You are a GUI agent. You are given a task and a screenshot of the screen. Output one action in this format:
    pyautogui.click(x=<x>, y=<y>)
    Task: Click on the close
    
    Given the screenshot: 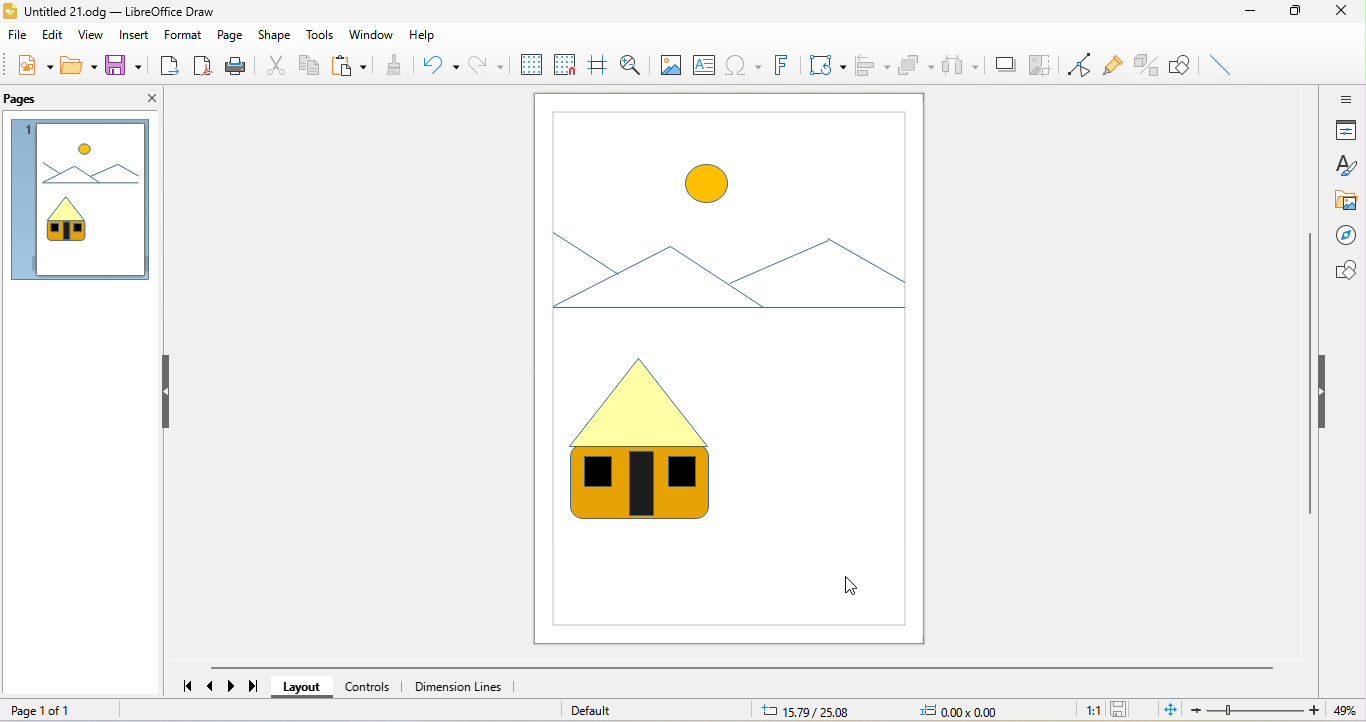 What is the action you would take?
    pyautogui.click(x=145, y=102)
    